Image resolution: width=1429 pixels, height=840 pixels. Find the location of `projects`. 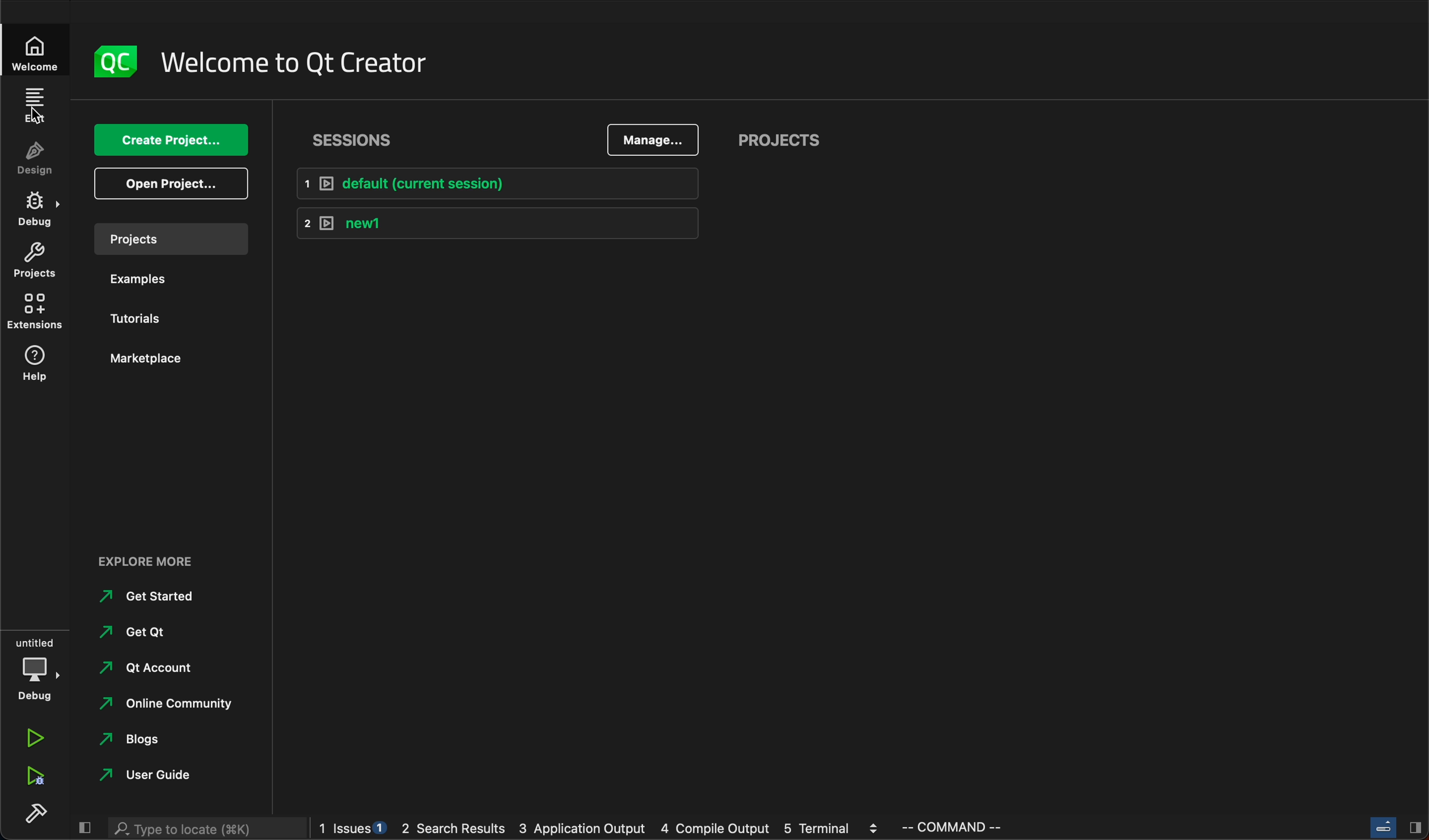

projects is located at coordinates (38, 260).